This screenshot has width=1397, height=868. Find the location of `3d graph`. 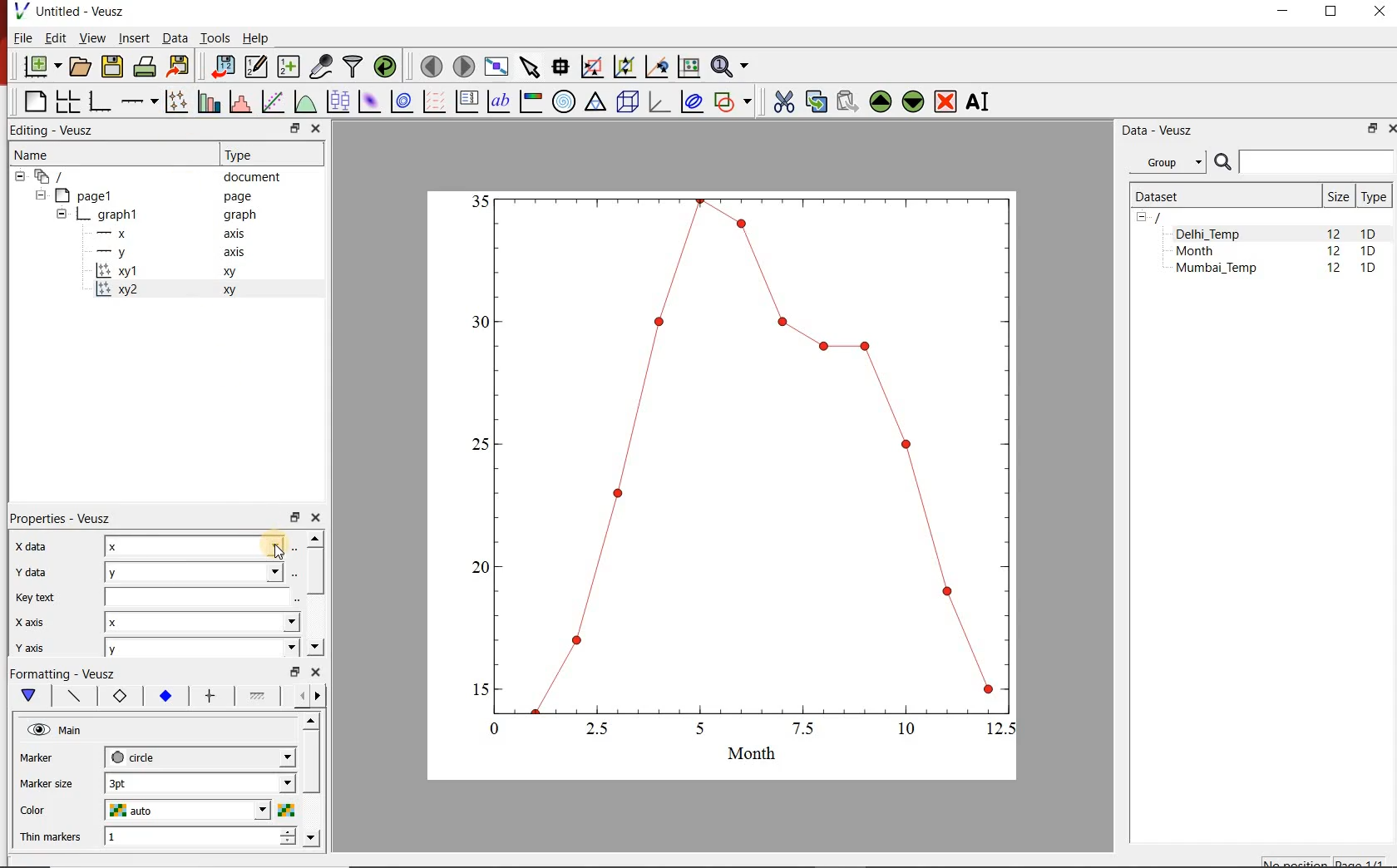

3d graph is located at coordinates (657, 101).